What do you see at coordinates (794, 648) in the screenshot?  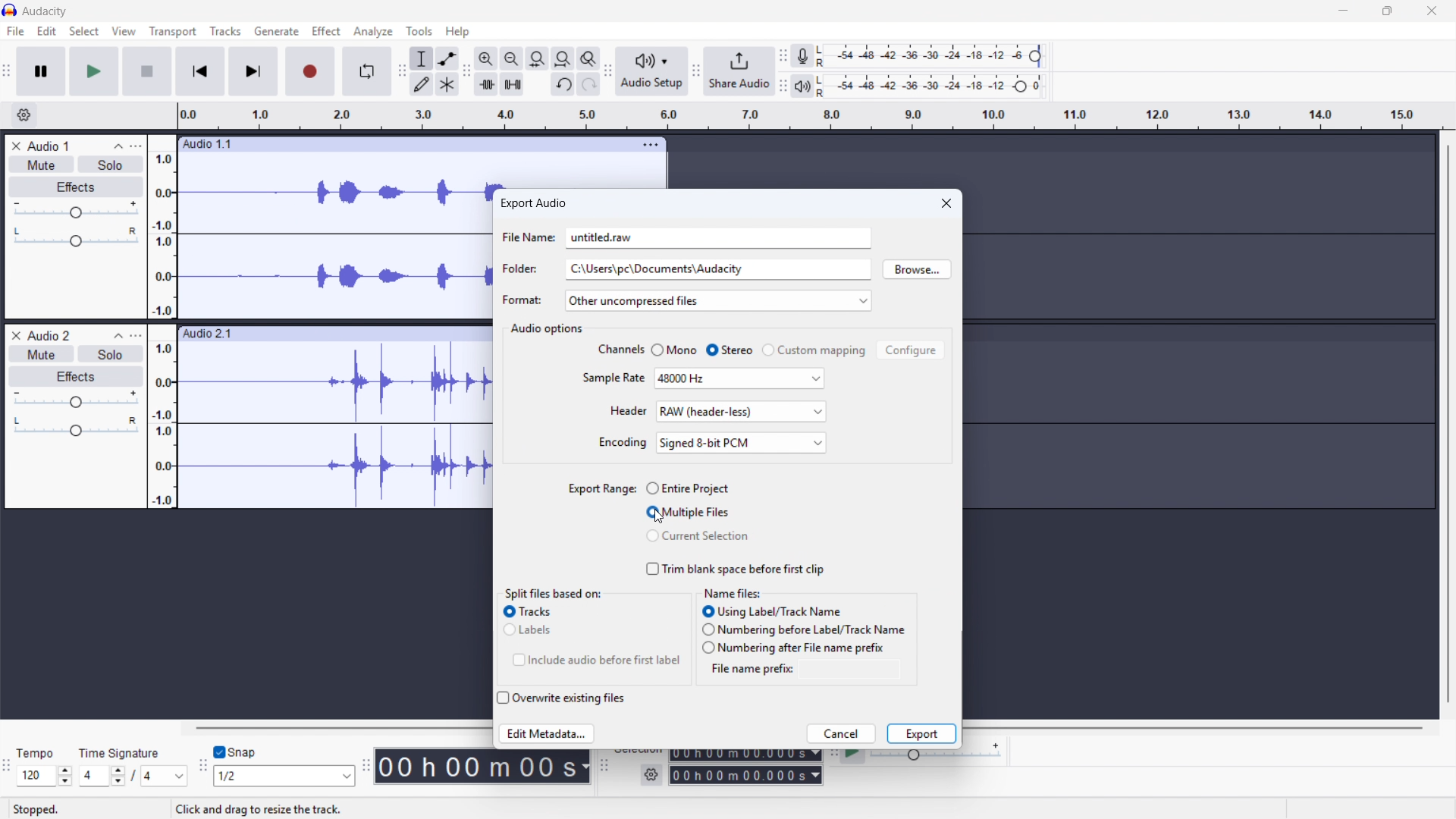 I see `Numbering after File name prefix` at bounding box center [794, 648].